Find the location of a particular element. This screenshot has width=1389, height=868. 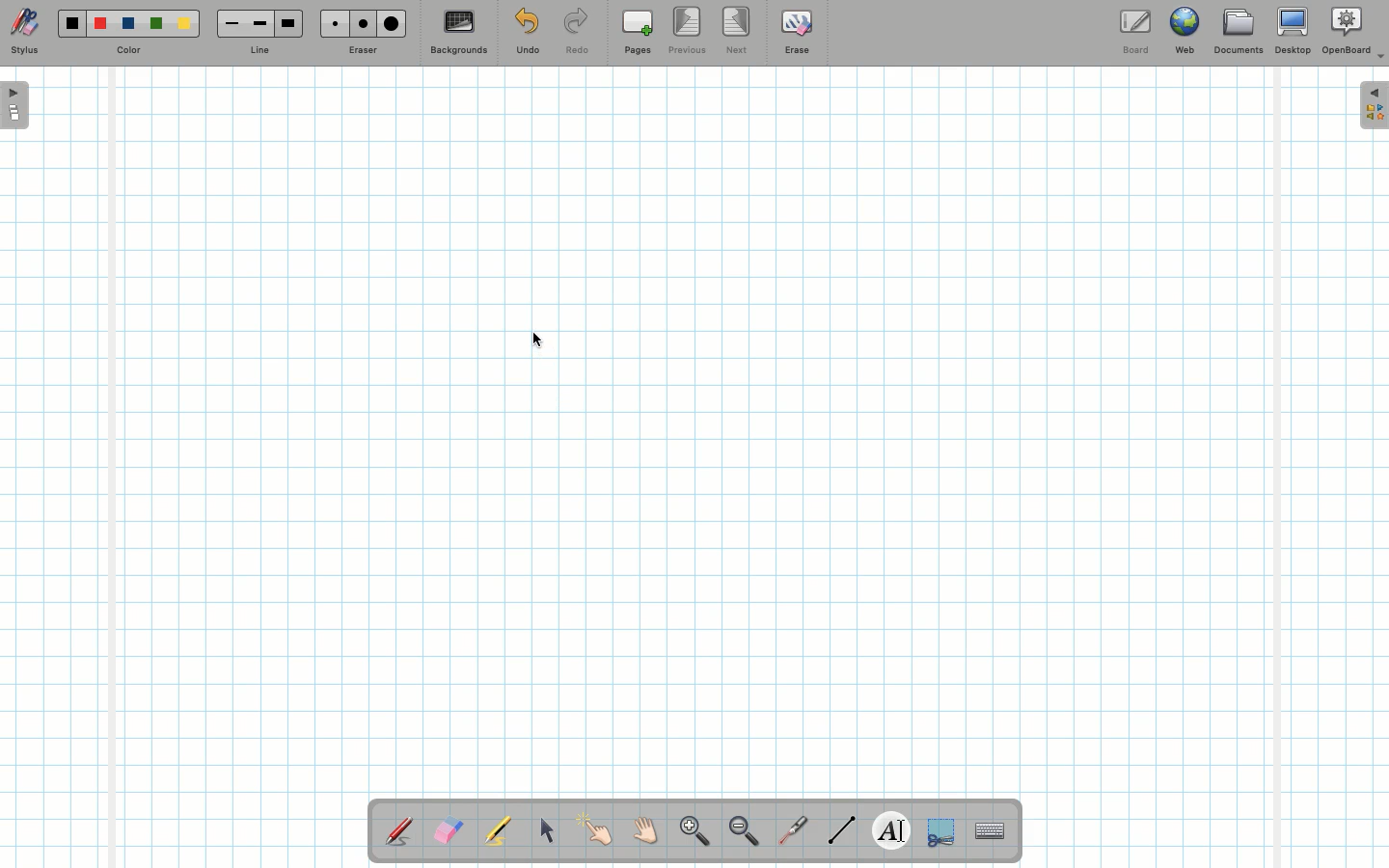

Eraser is located at coordinates (448, 832).